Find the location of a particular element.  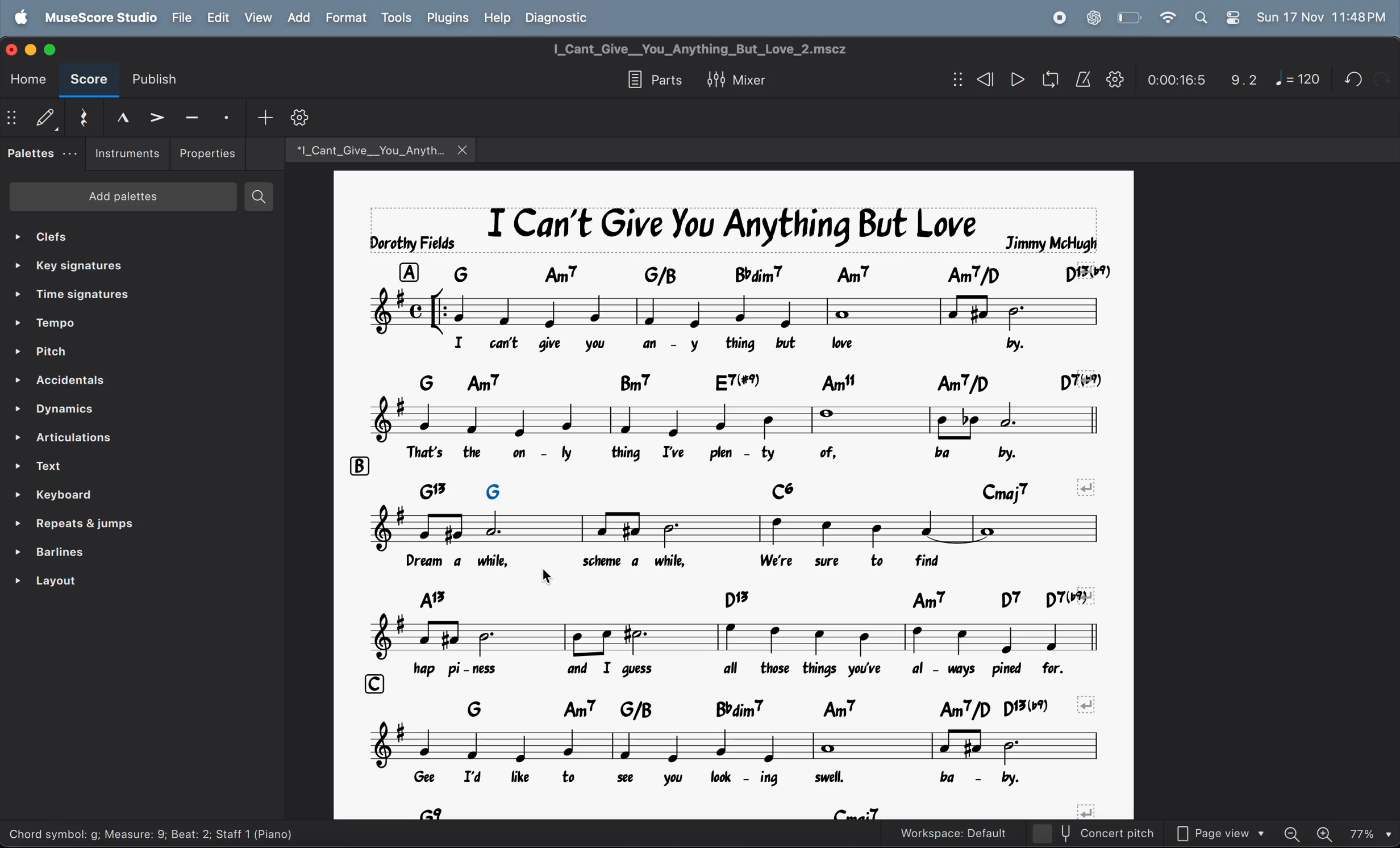

key signature is located at coordinates (134, 265).